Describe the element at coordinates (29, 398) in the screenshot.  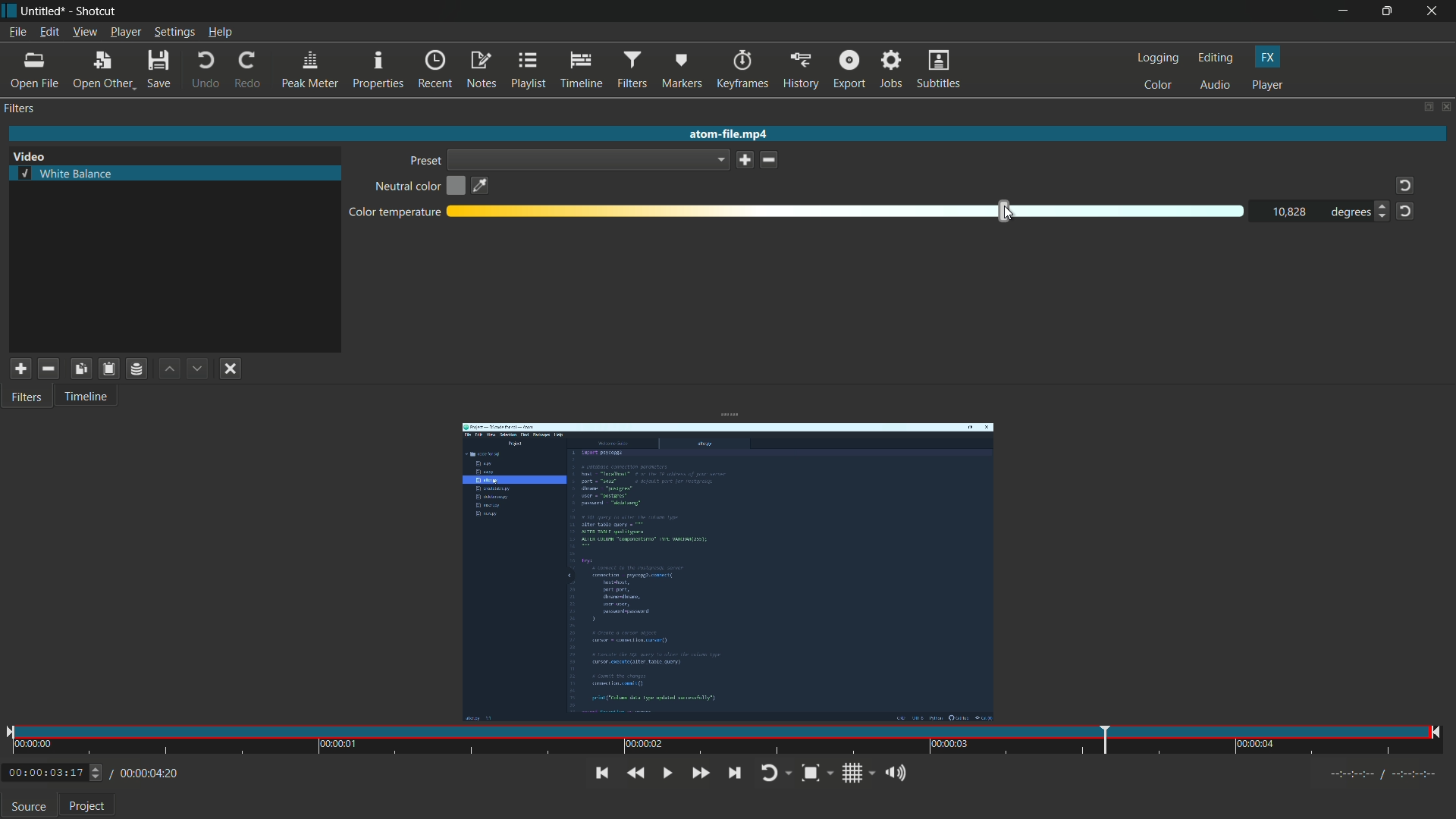
I see `filter tab` at that location.